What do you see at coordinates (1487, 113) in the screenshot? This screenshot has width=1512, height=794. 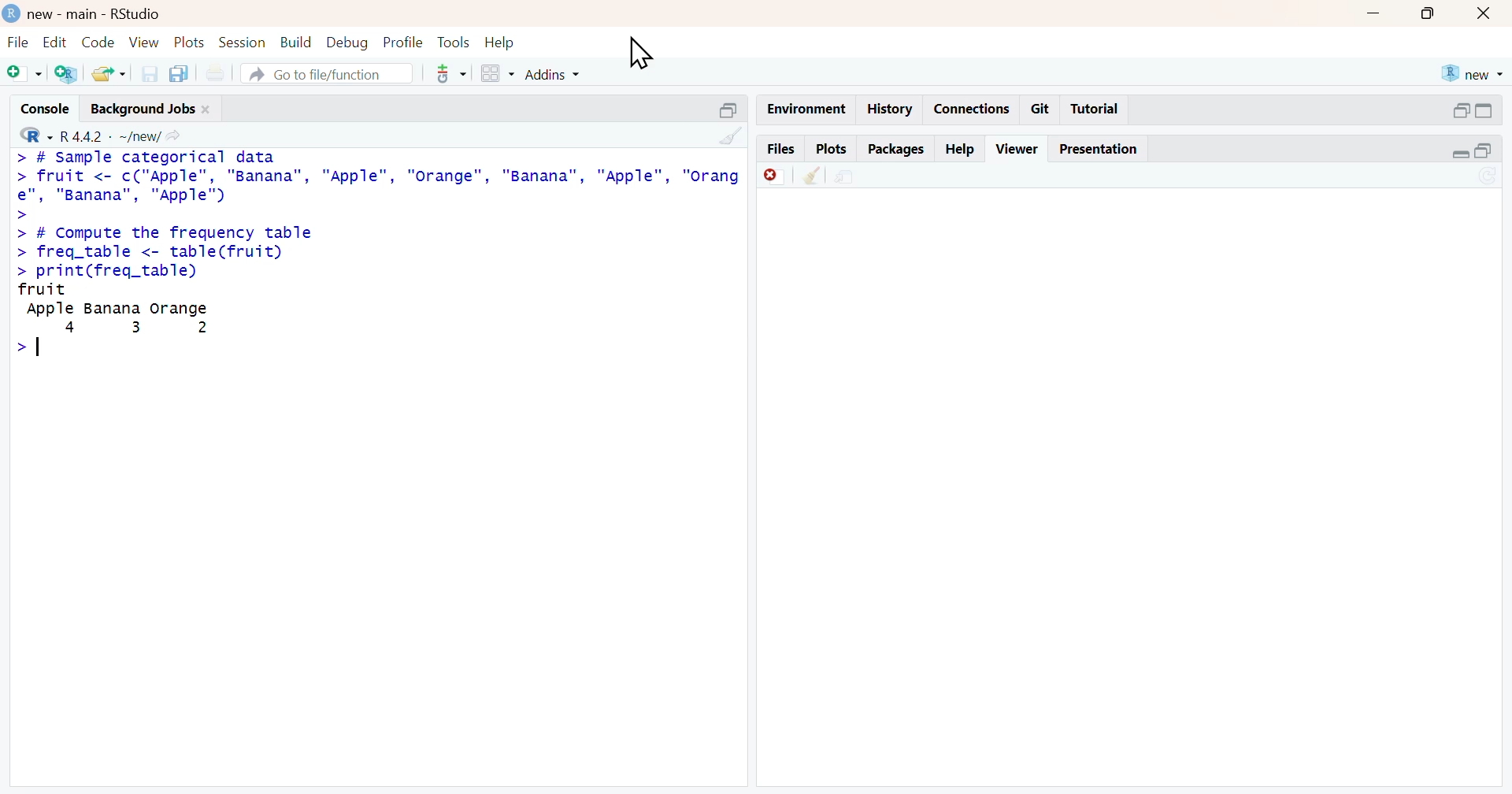 I see `collapse` at bounding box center [1487, 113].